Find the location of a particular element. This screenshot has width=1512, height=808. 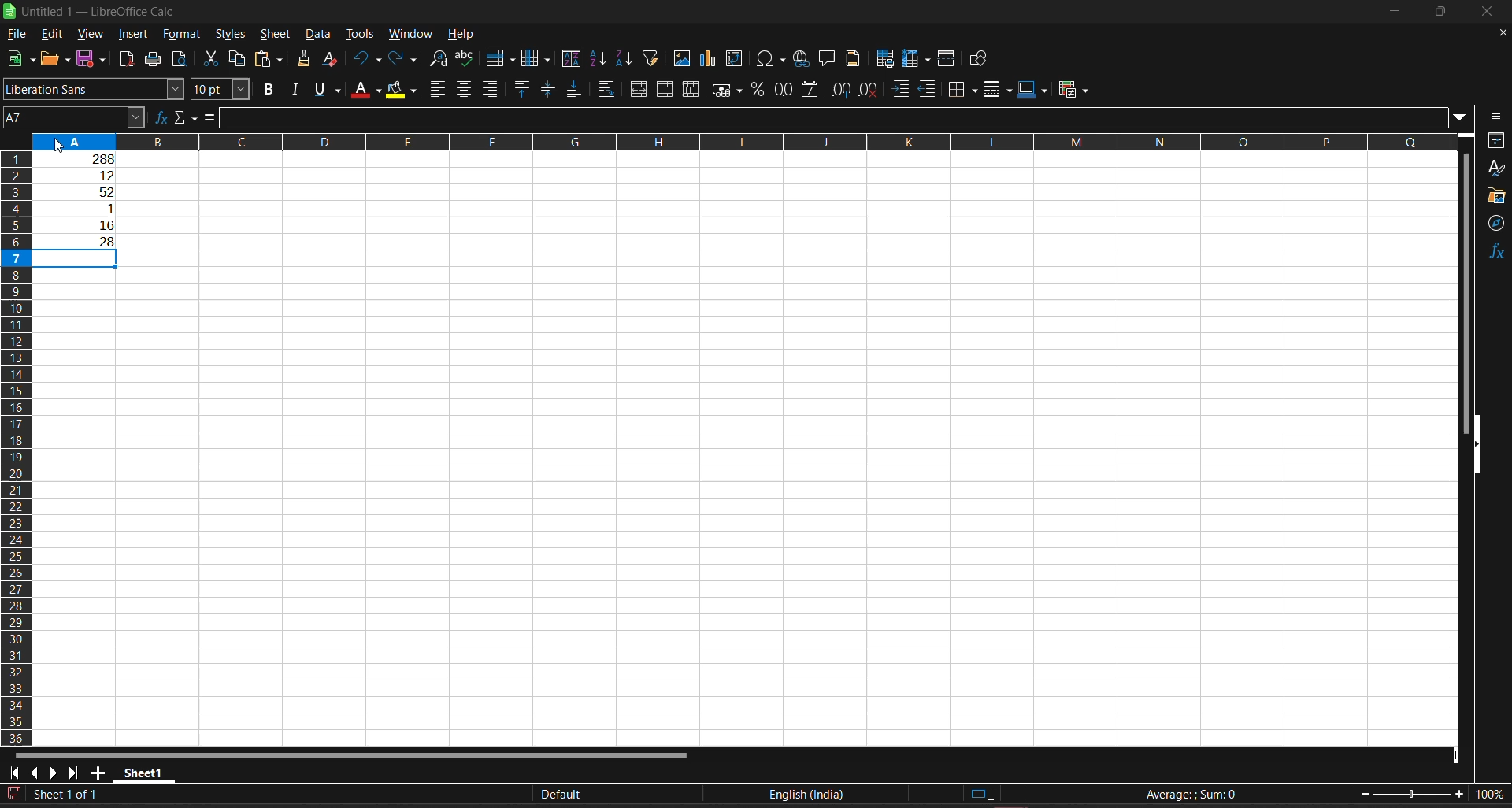

zoom out is located at coordinates (1362, 799).